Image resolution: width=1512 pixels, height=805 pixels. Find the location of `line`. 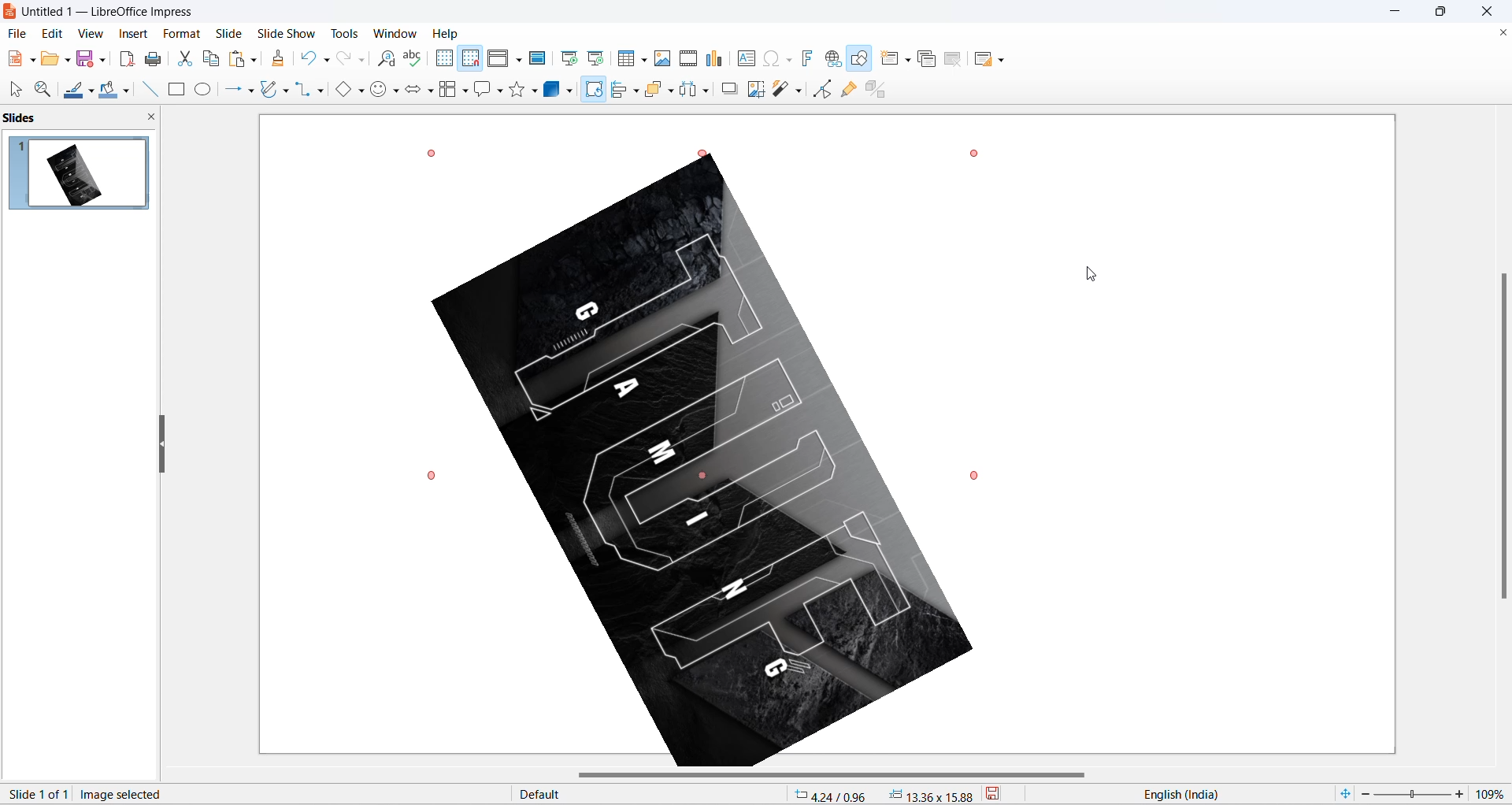

line is located at coordinates (146, 89).